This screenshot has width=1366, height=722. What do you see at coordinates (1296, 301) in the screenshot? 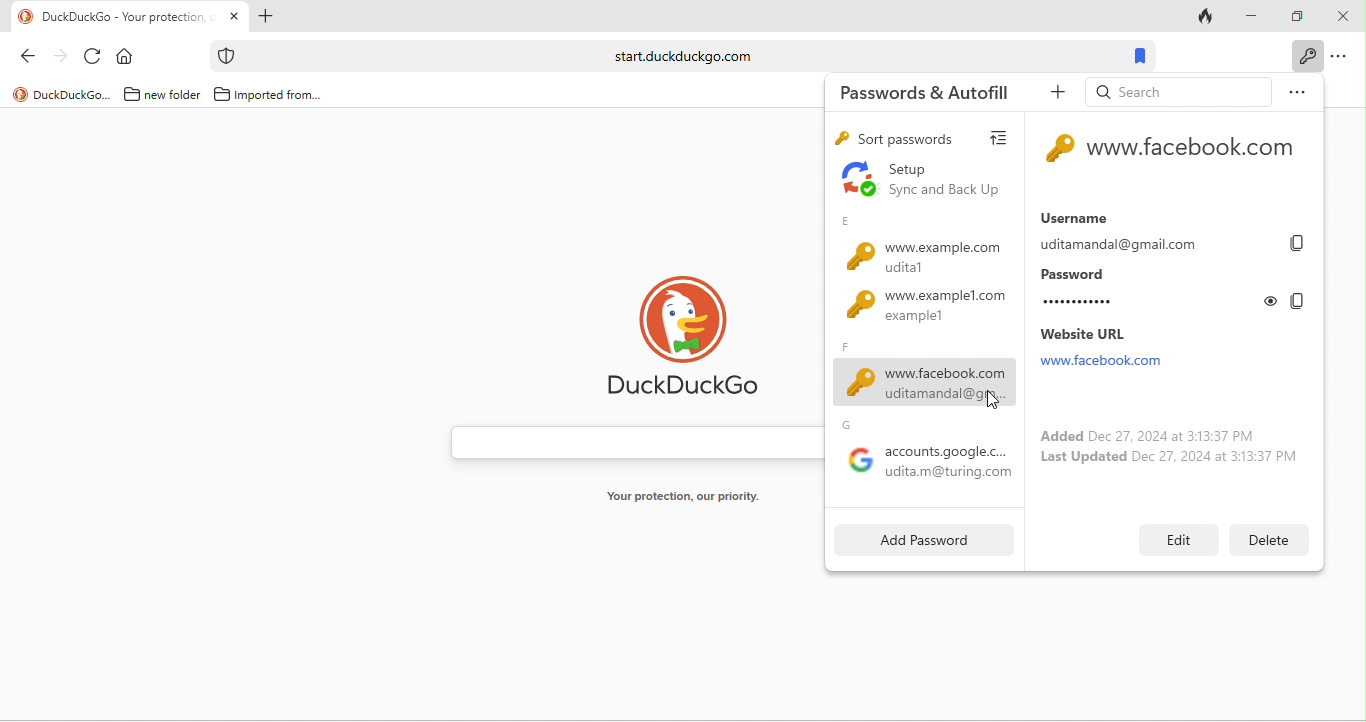
I see `copy` at bounding box center [1296, 301].